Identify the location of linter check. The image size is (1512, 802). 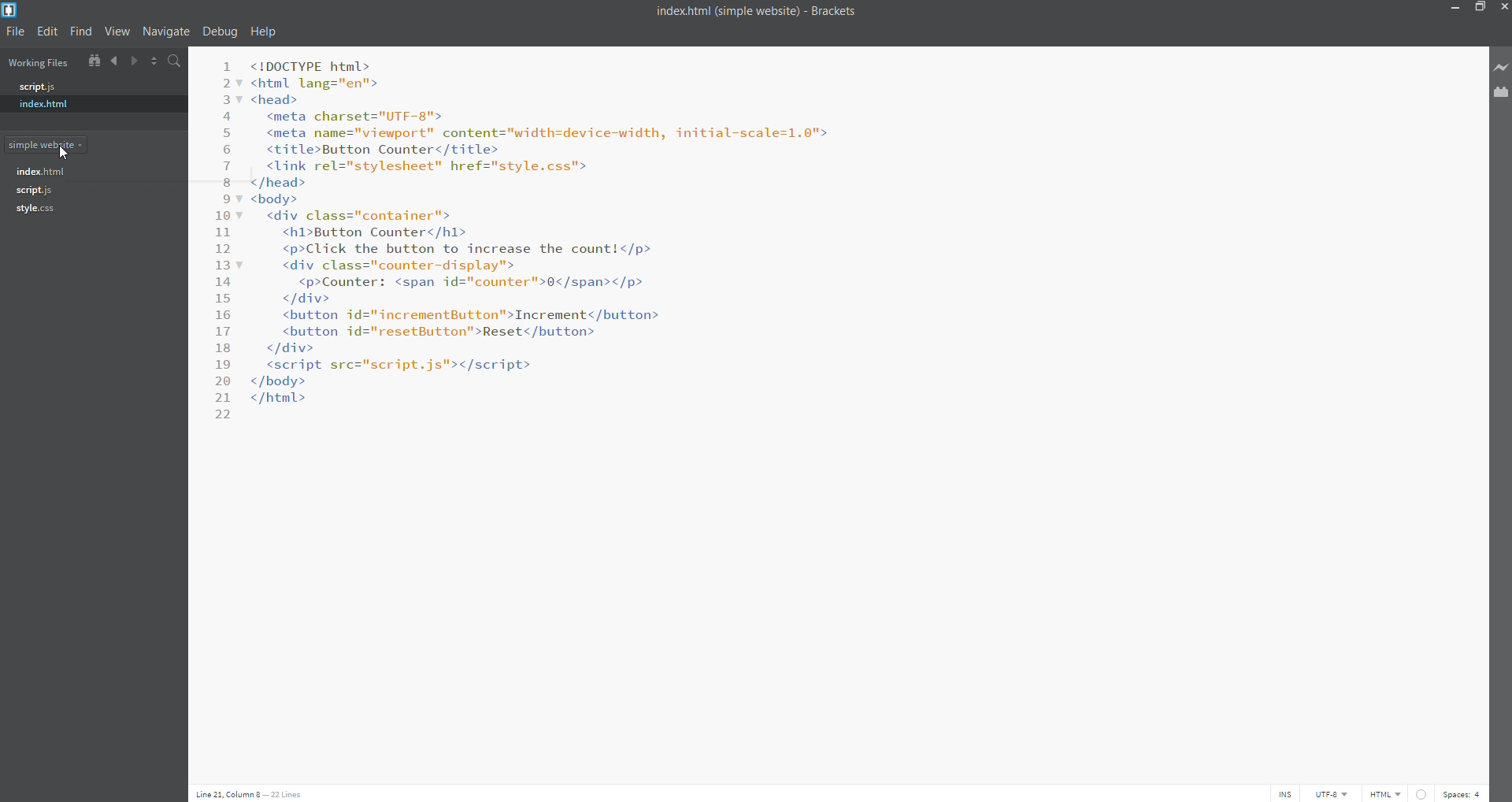
(1424, 793).